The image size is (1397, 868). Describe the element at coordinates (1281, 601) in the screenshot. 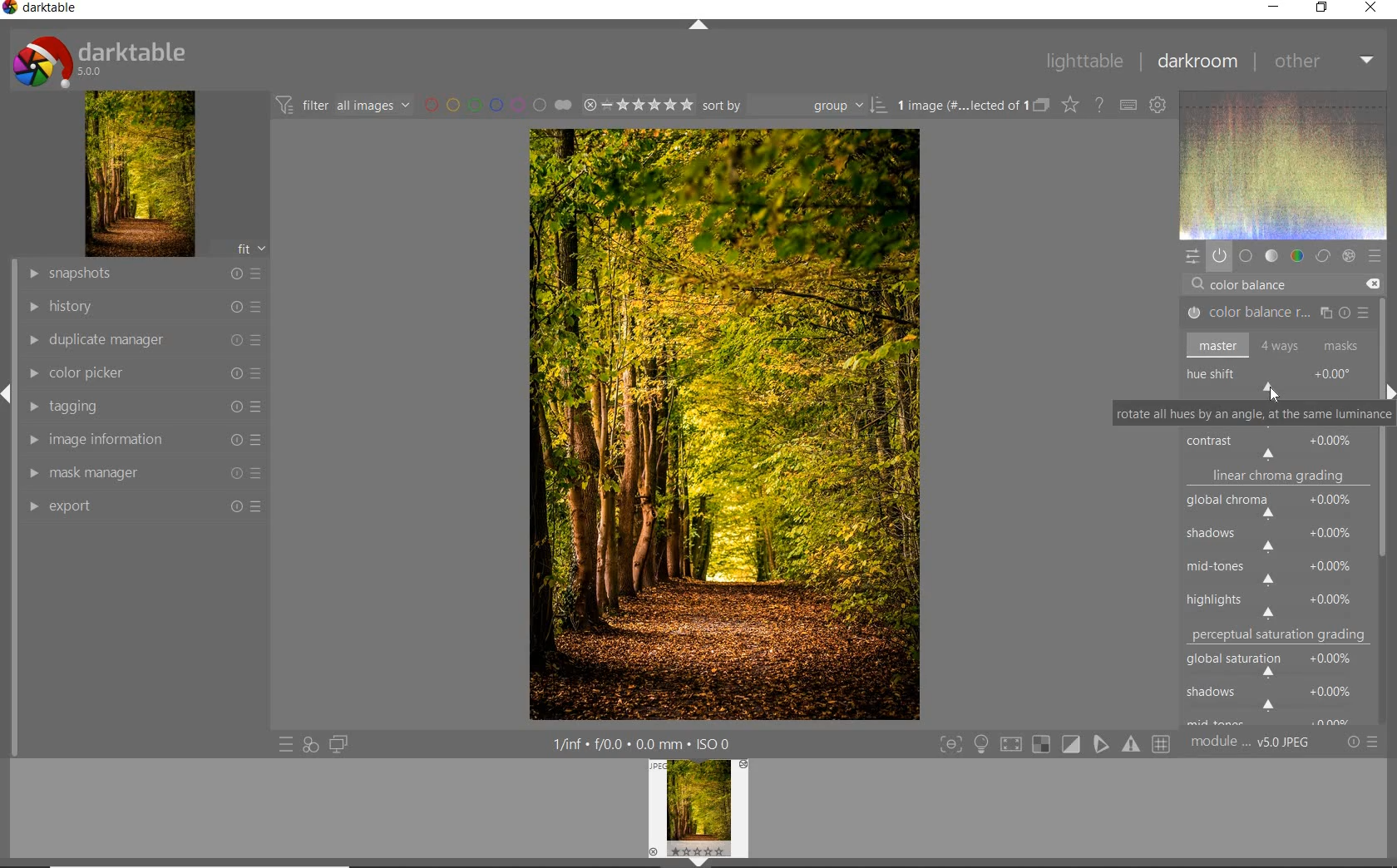

I see `highlights` at that location.